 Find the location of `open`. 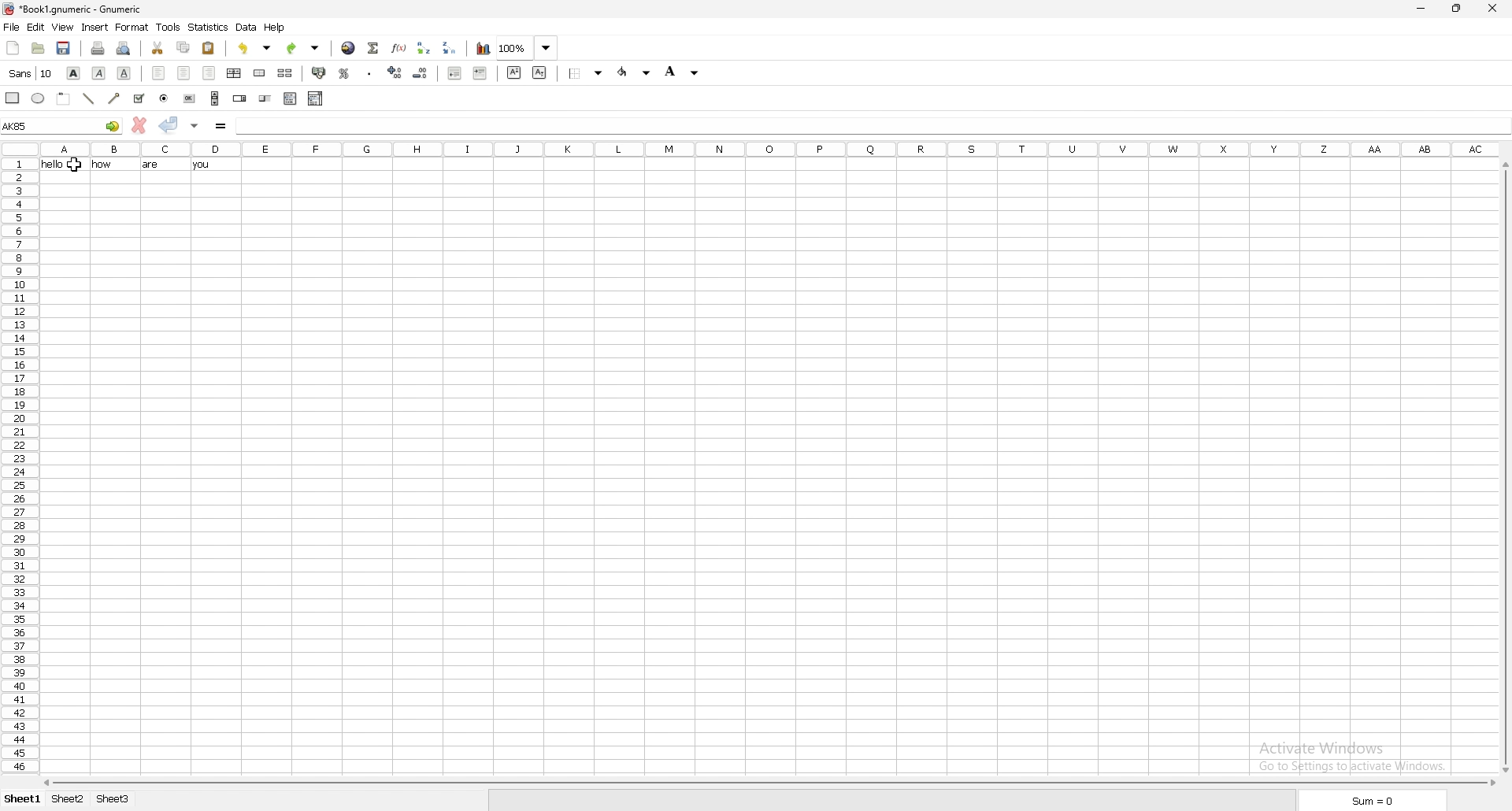

open is located at coordinates (38, 47).